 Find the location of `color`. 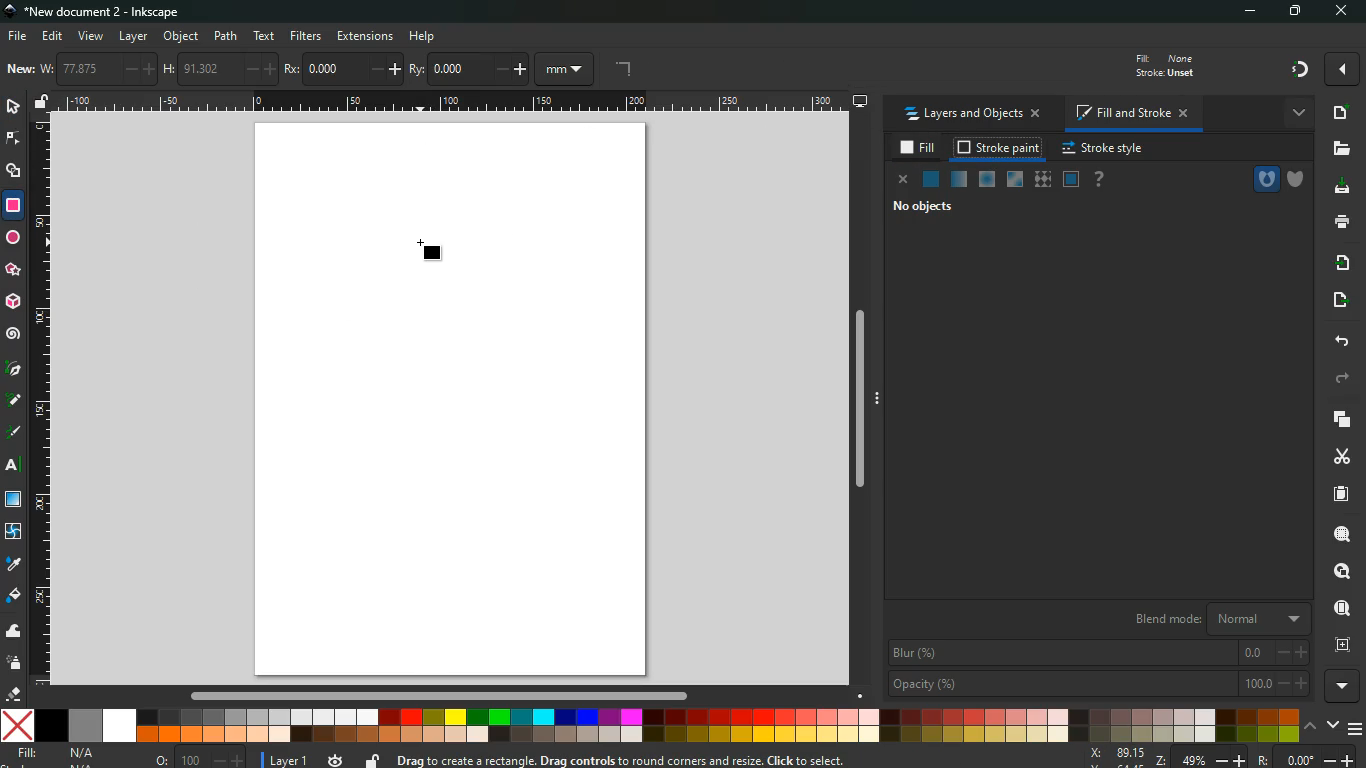

color is located at coordinates (651, 725).